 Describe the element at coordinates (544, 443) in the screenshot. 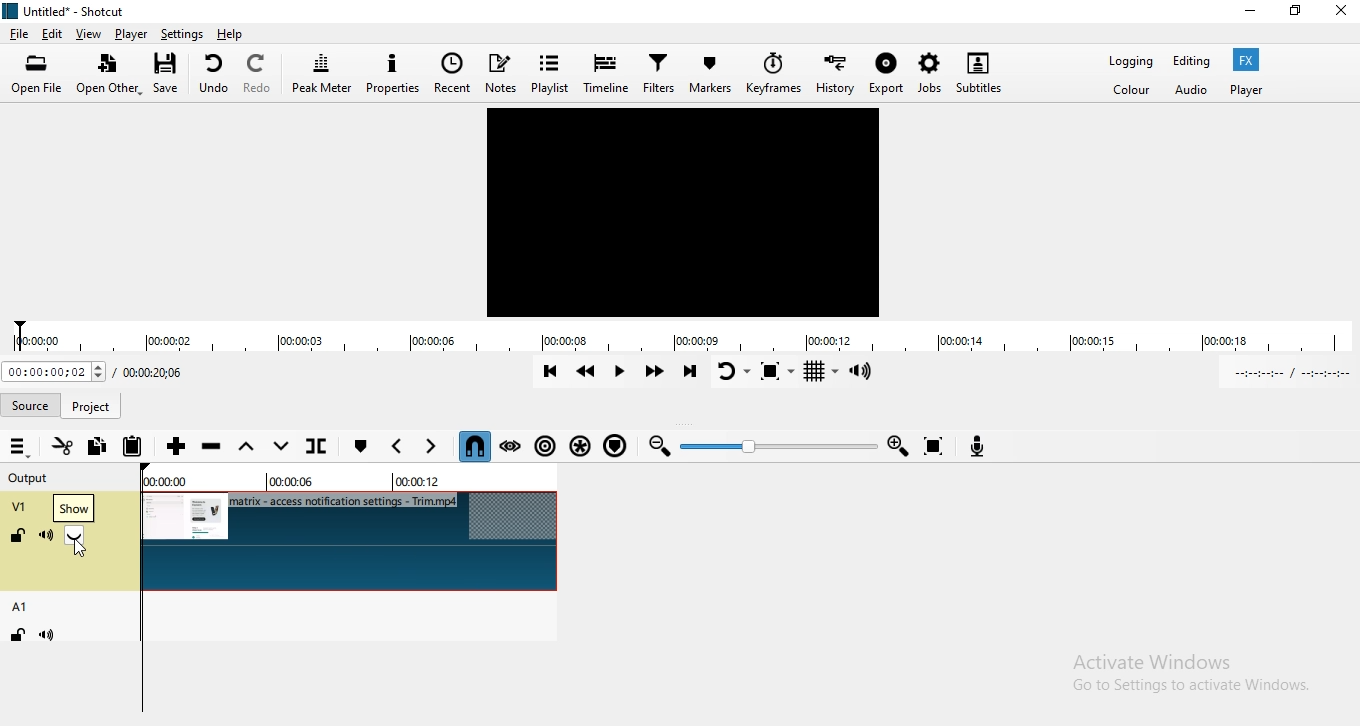

I see `Ripple` at that location.